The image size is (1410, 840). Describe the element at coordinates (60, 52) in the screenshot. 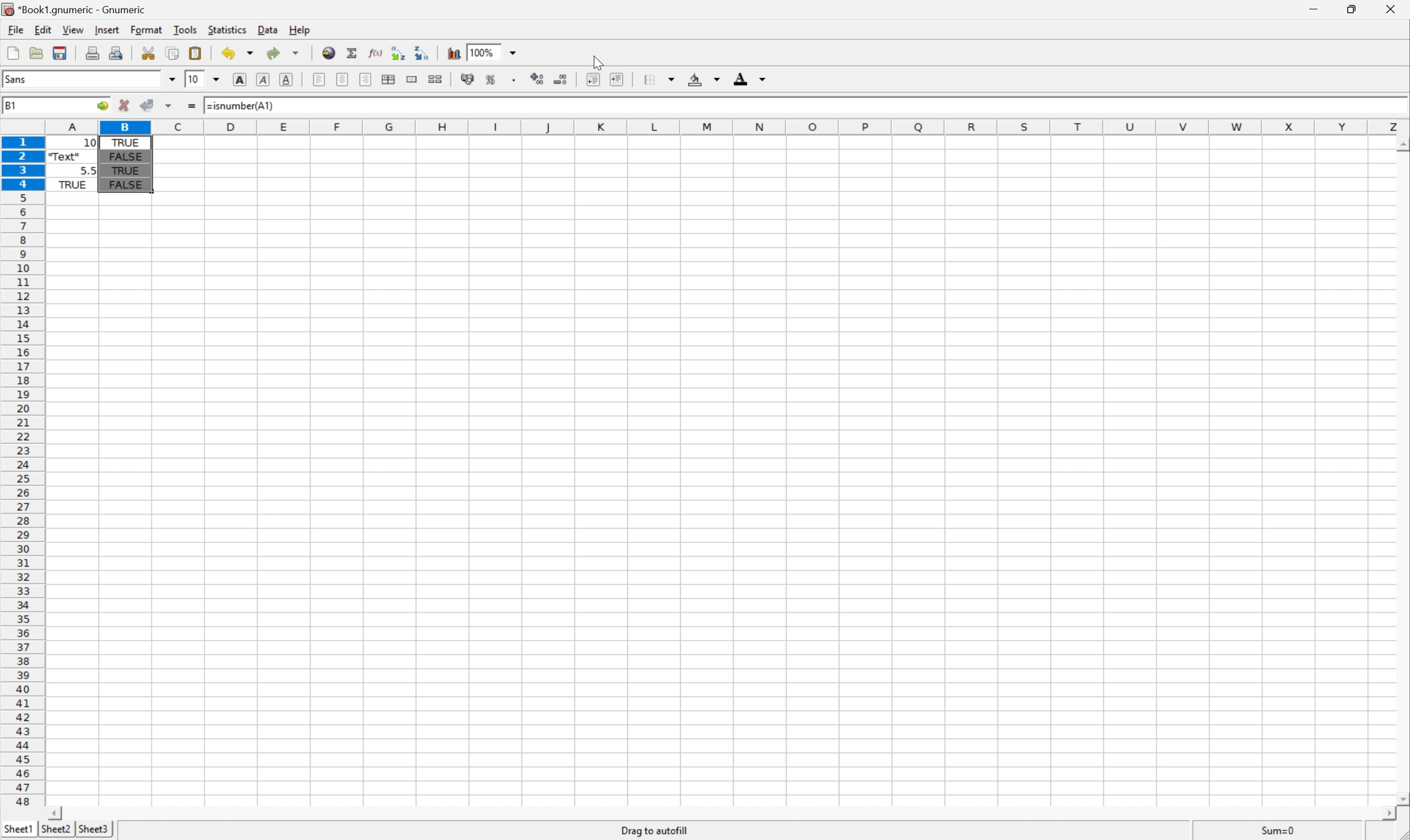

I see `Save current workbook` at that location.